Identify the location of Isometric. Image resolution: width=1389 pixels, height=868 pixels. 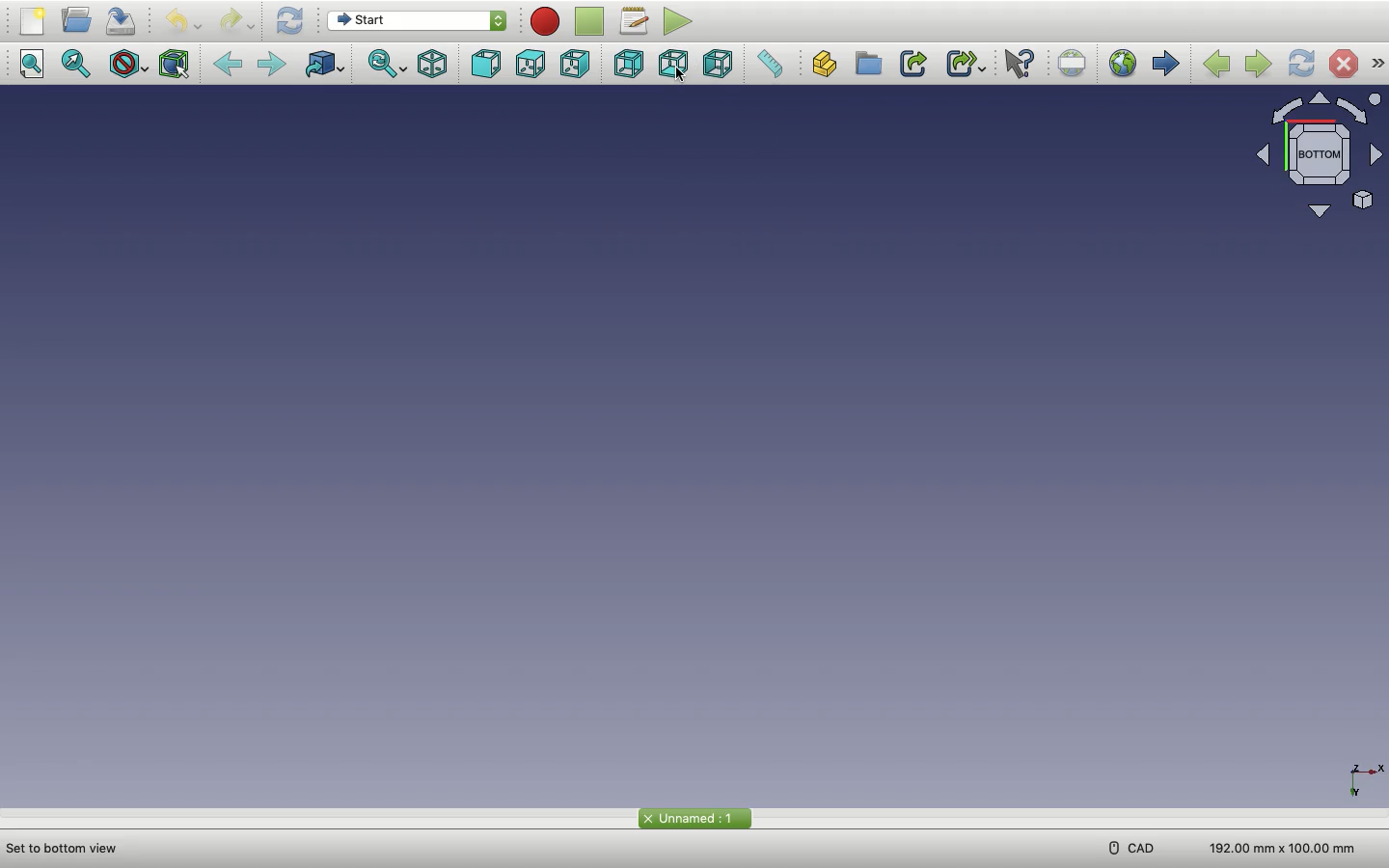
(435, 66).